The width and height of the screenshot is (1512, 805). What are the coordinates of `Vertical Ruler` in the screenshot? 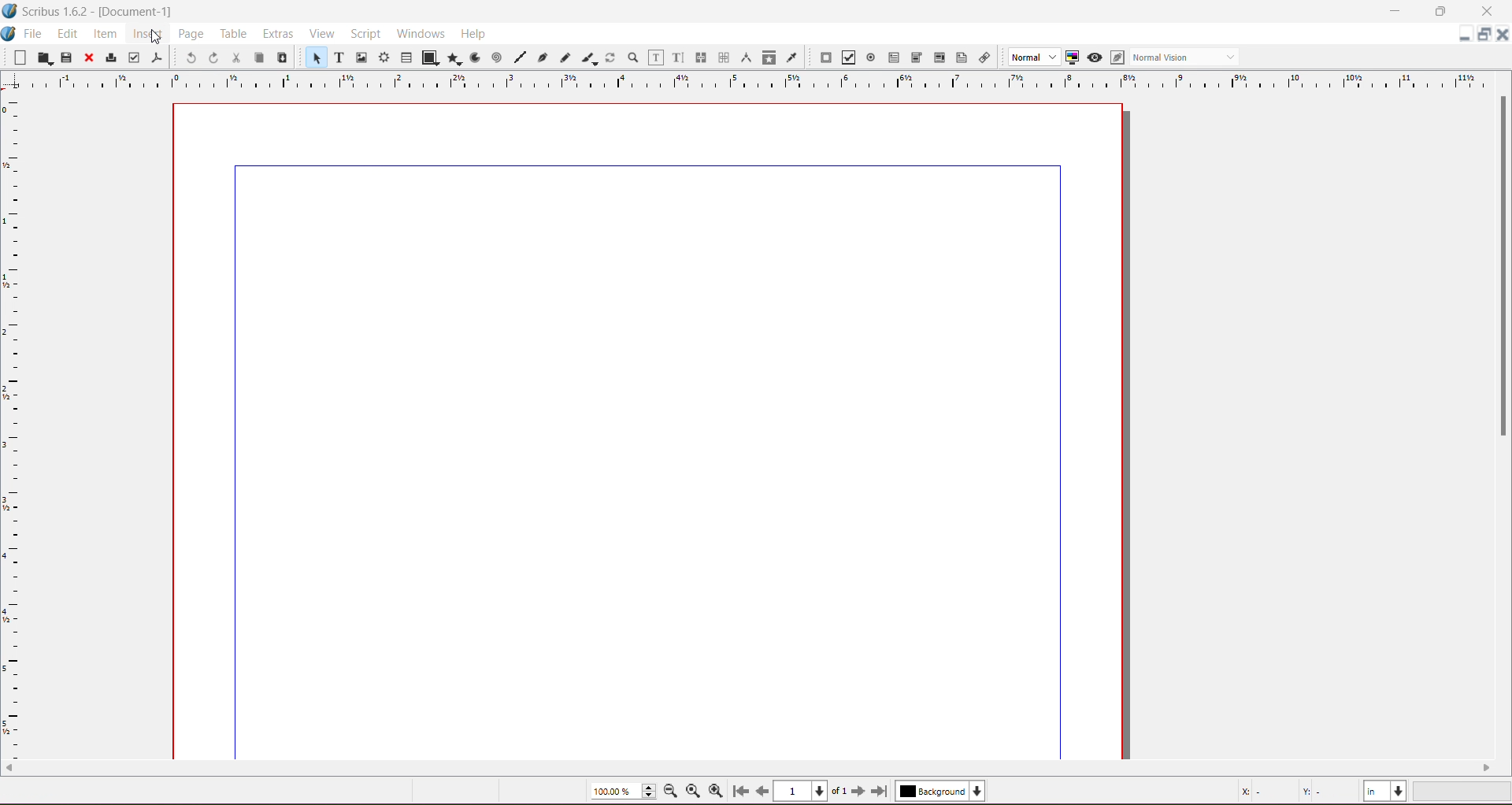 It's located at (13, 423).